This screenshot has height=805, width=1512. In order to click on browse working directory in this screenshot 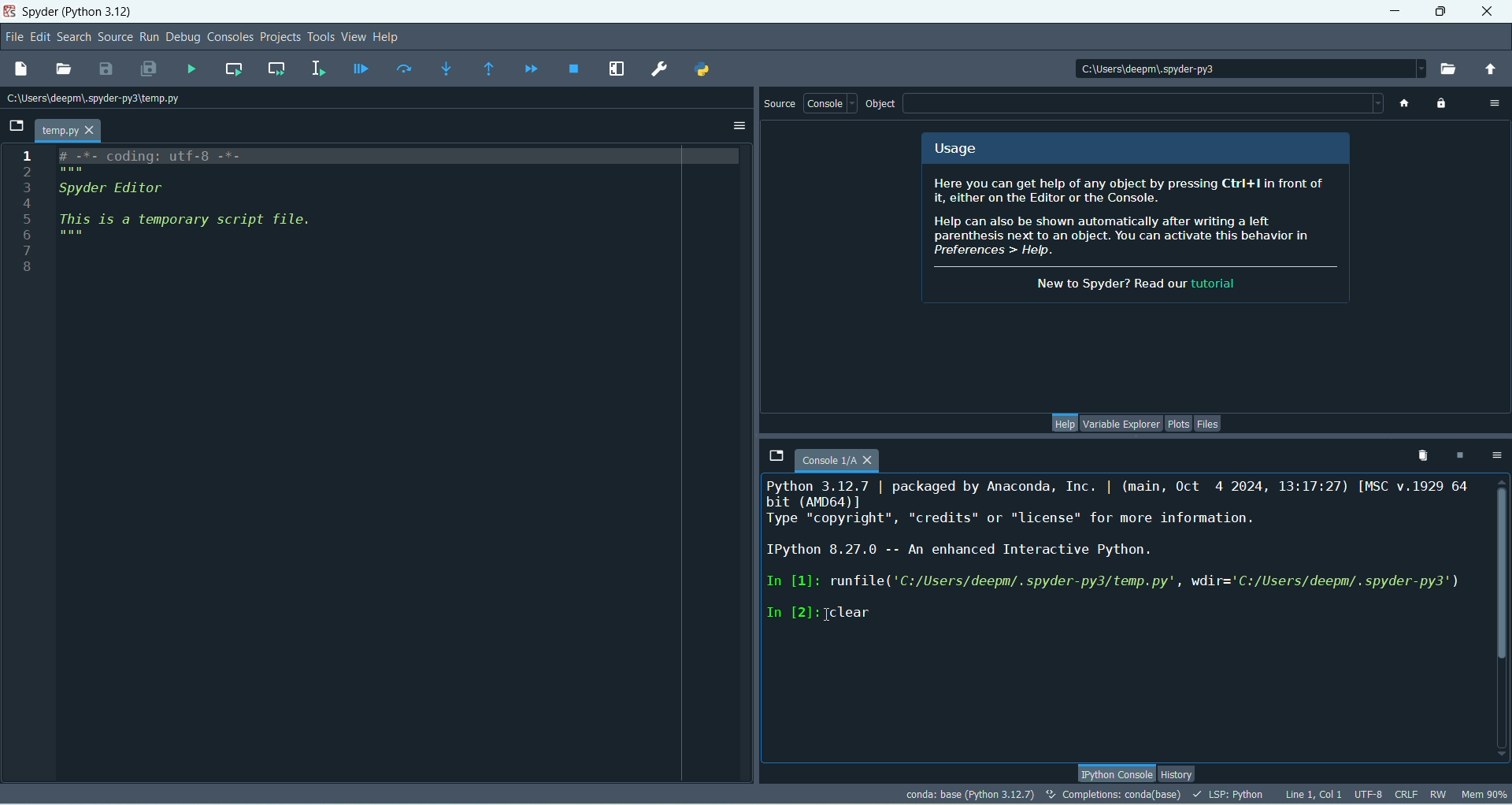, I will do `click(1453, 70)`.